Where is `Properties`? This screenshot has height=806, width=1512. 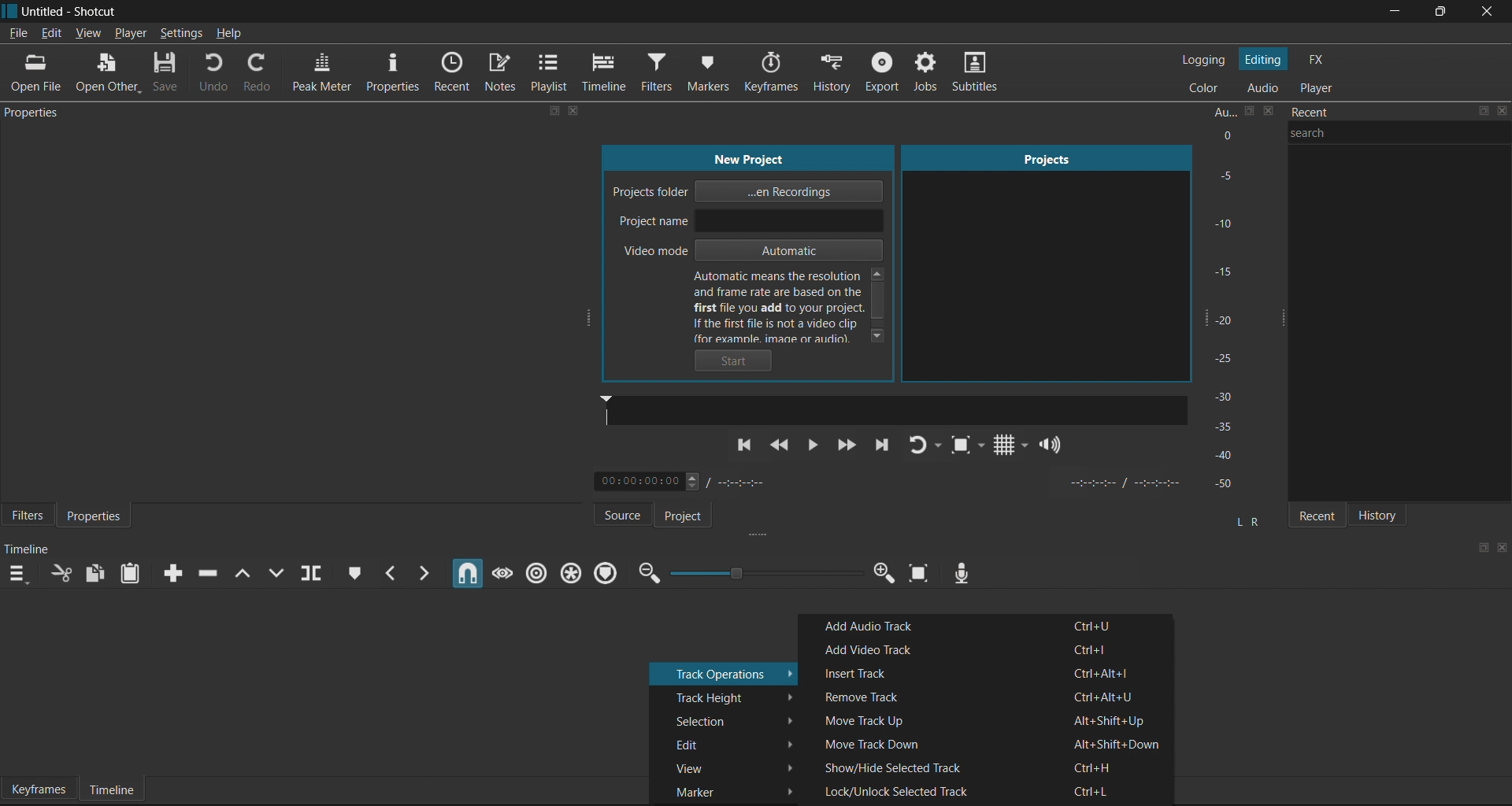
Properties is located at coordinates (98, 516).